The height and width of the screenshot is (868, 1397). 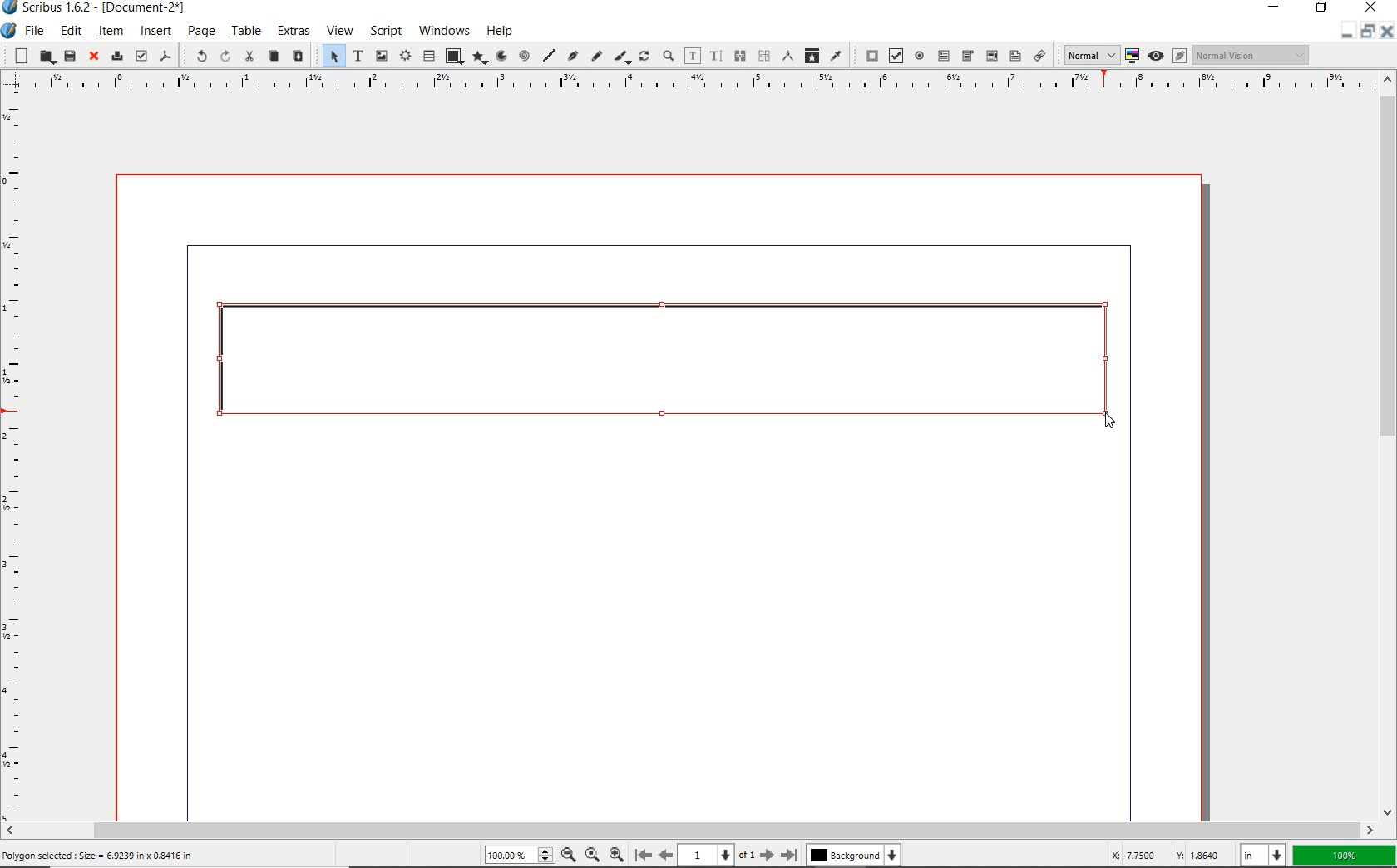 I want to click on move to previous, so click(x=665, y=853).